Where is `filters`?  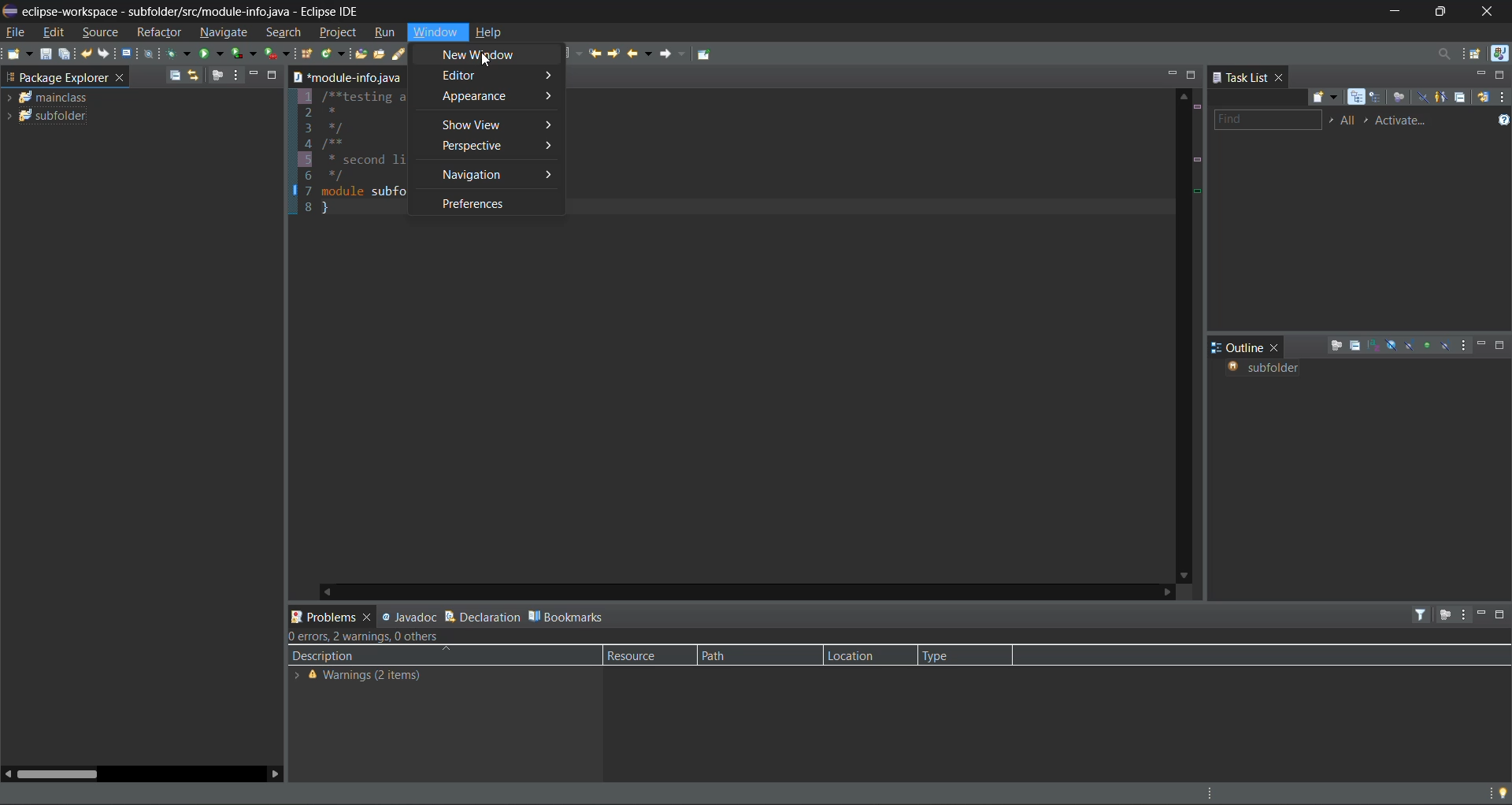 filters is located at coordinates (1423, 614).